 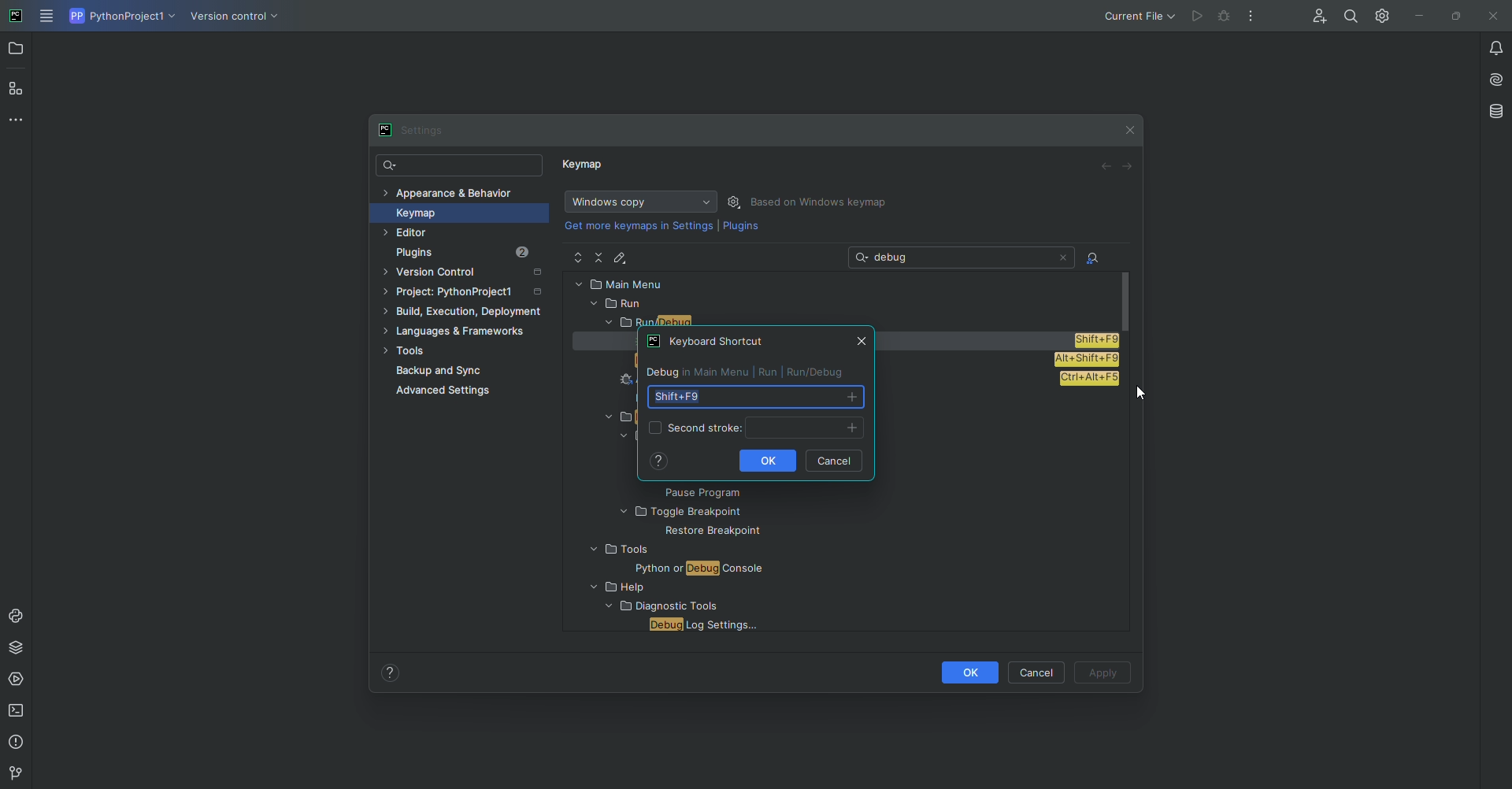 What do you see at coordinates (655, 608) in the screenshot?
I see `FOLDER NAME` at bounding box center [655, 608].